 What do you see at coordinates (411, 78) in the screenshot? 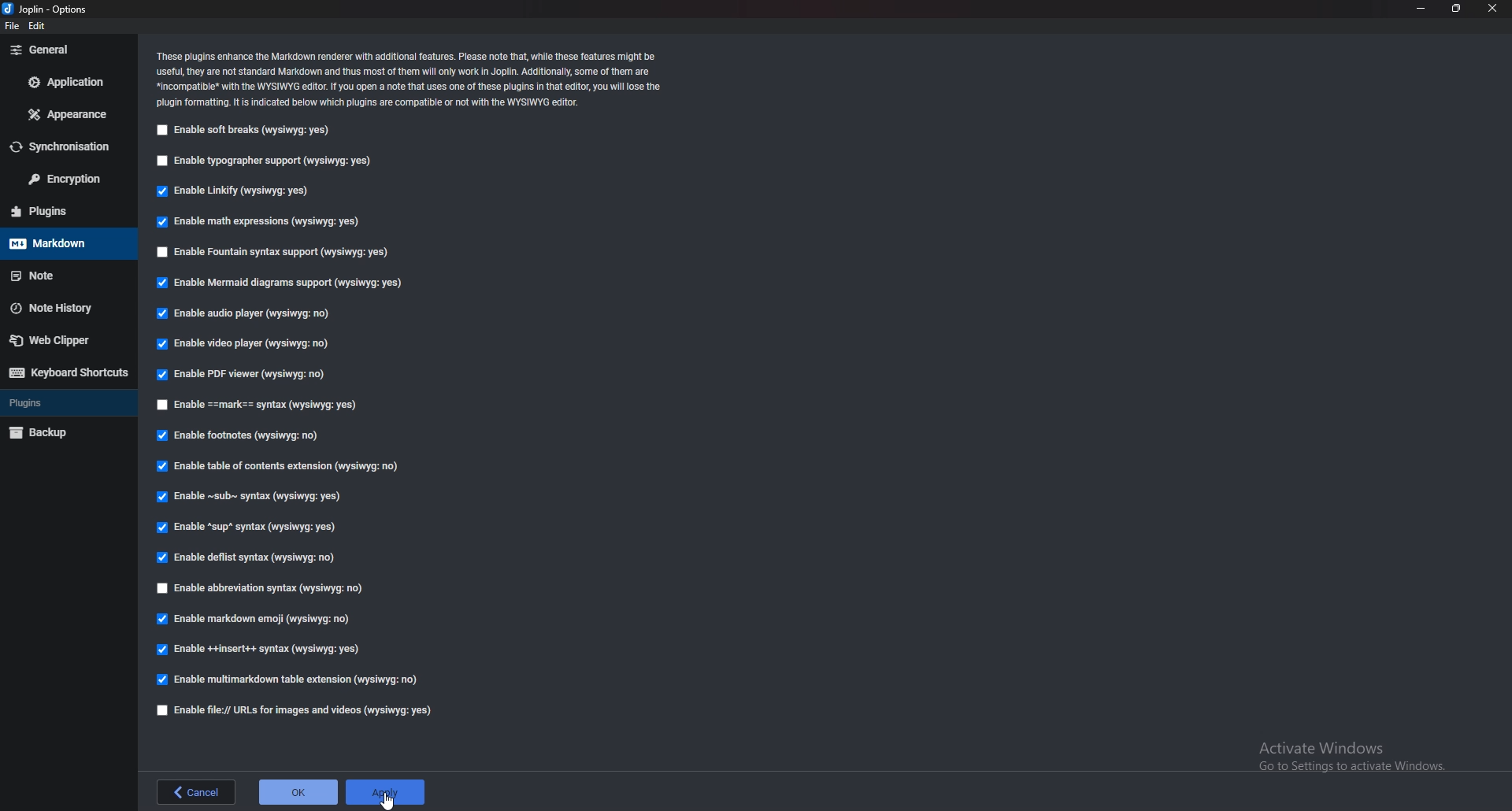
I see `Info` at bounding box center [411, 78].